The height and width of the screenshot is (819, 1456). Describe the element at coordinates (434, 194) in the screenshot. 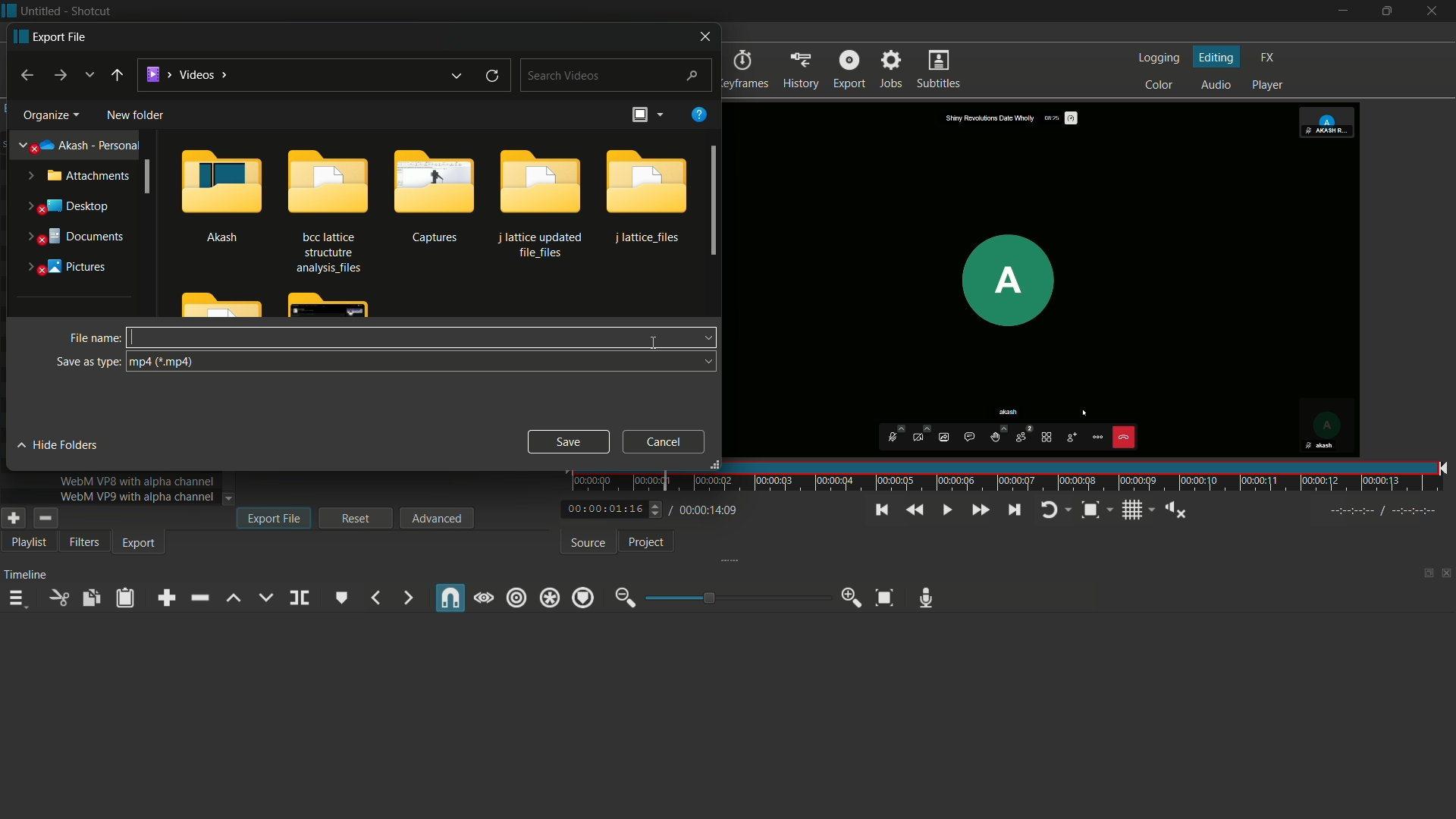

I see `folder-3` at that location.